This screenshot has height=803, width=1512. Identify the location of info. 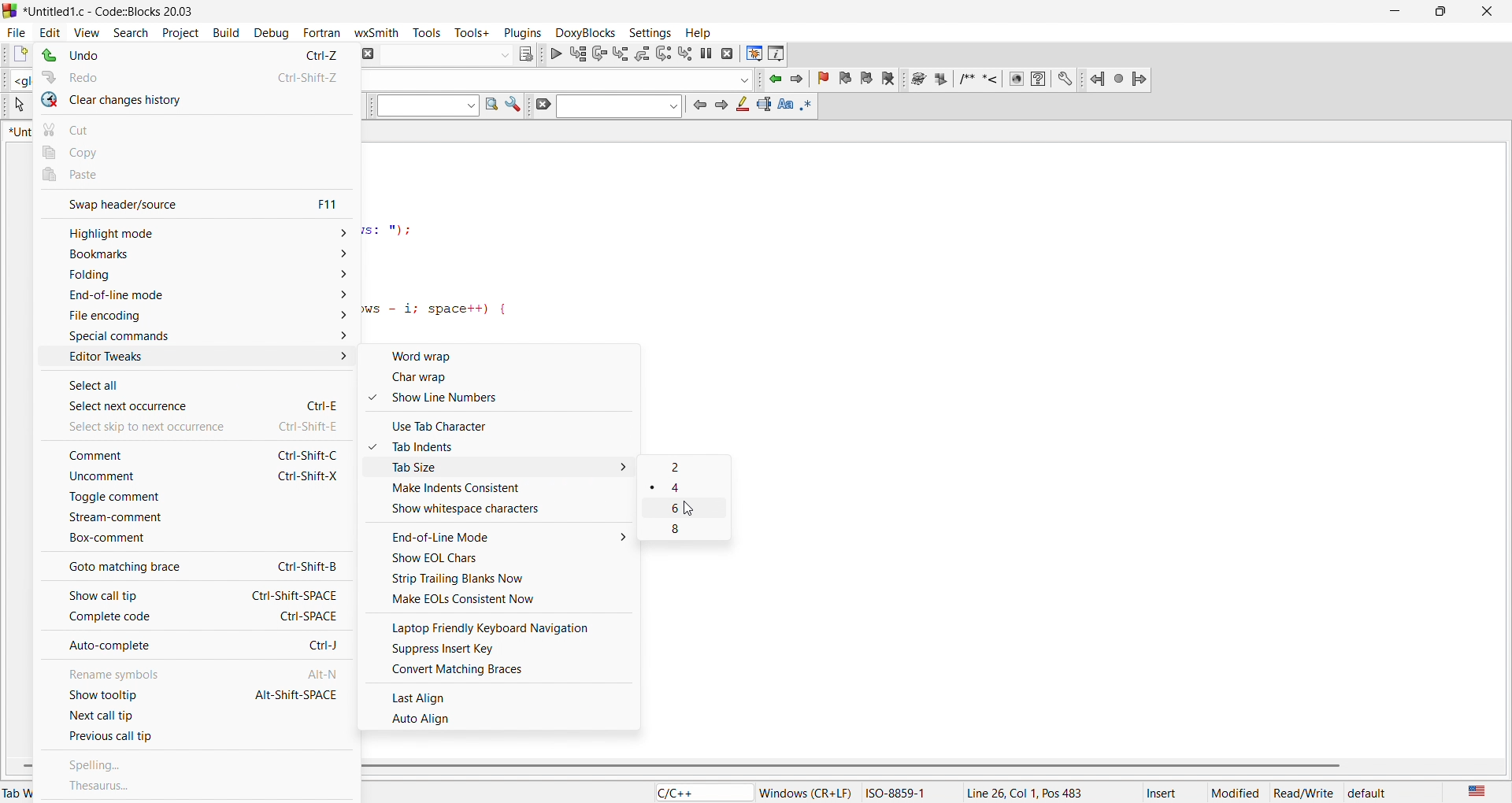
(774, 54).